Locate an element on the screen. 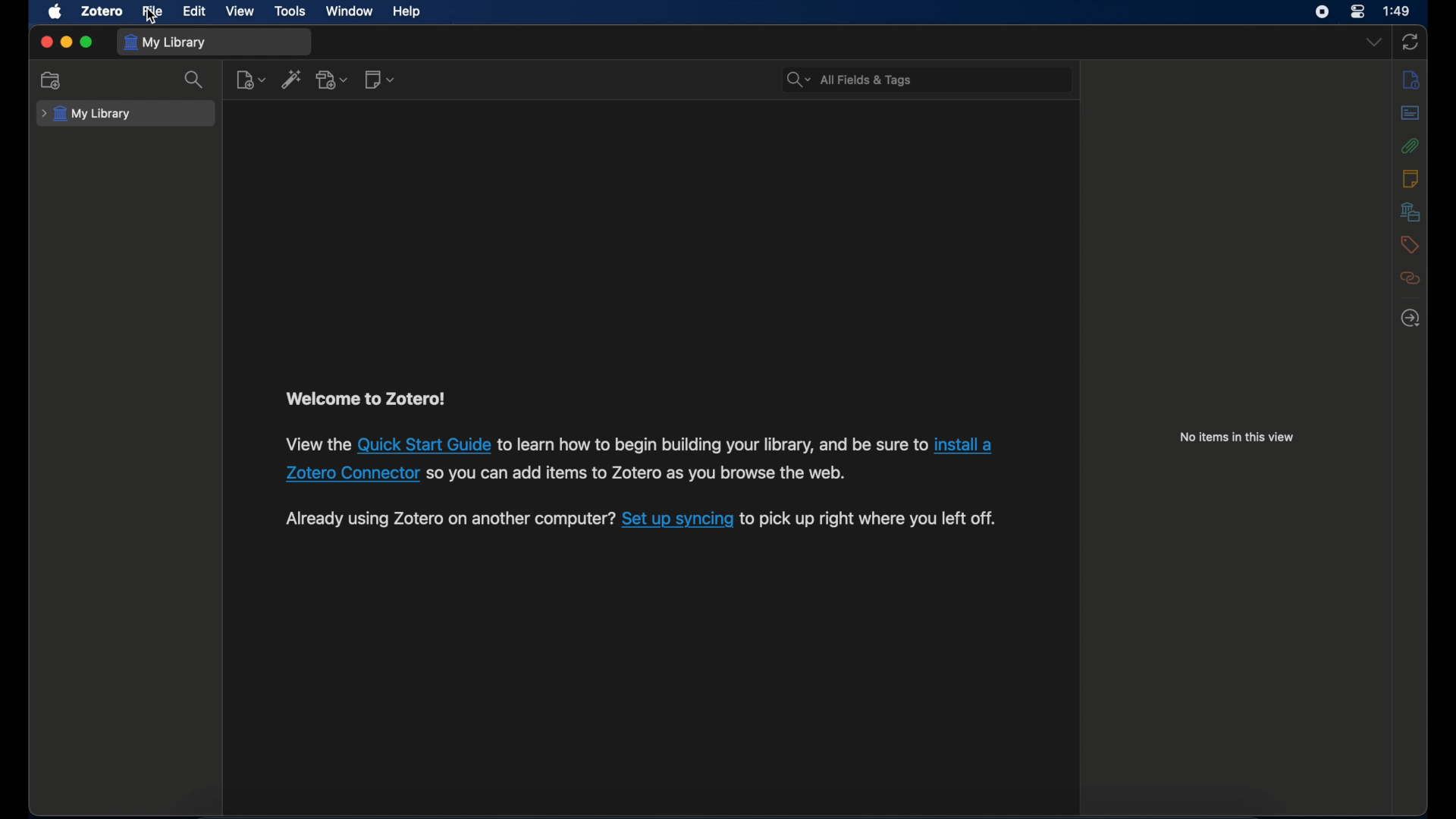 This screenshot has height=819, width=1456. install a is located at coordinates (967, 444).